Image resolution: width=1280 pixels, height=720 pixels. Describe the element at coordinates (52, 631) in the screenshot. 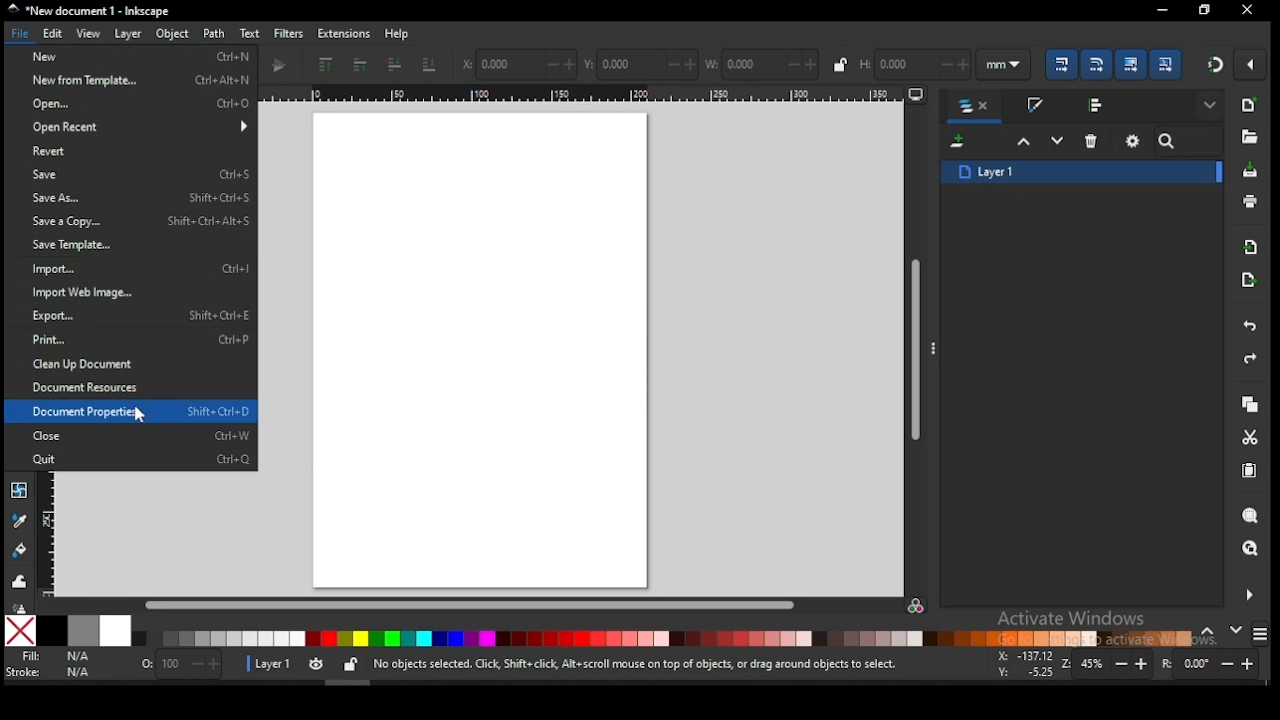

I see `black` at that location.